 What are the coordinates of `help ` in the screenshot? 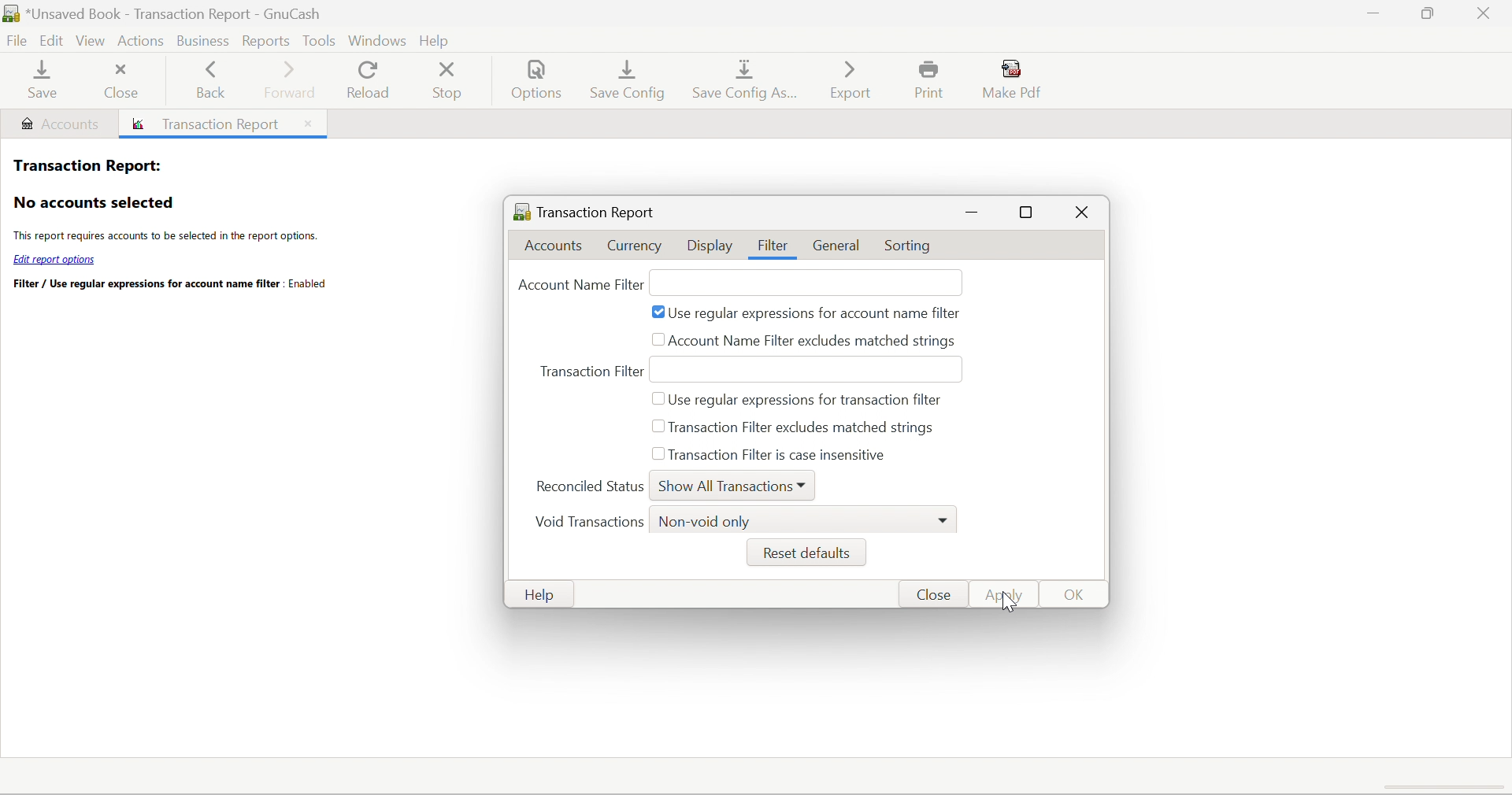 It's located at (439, 38).